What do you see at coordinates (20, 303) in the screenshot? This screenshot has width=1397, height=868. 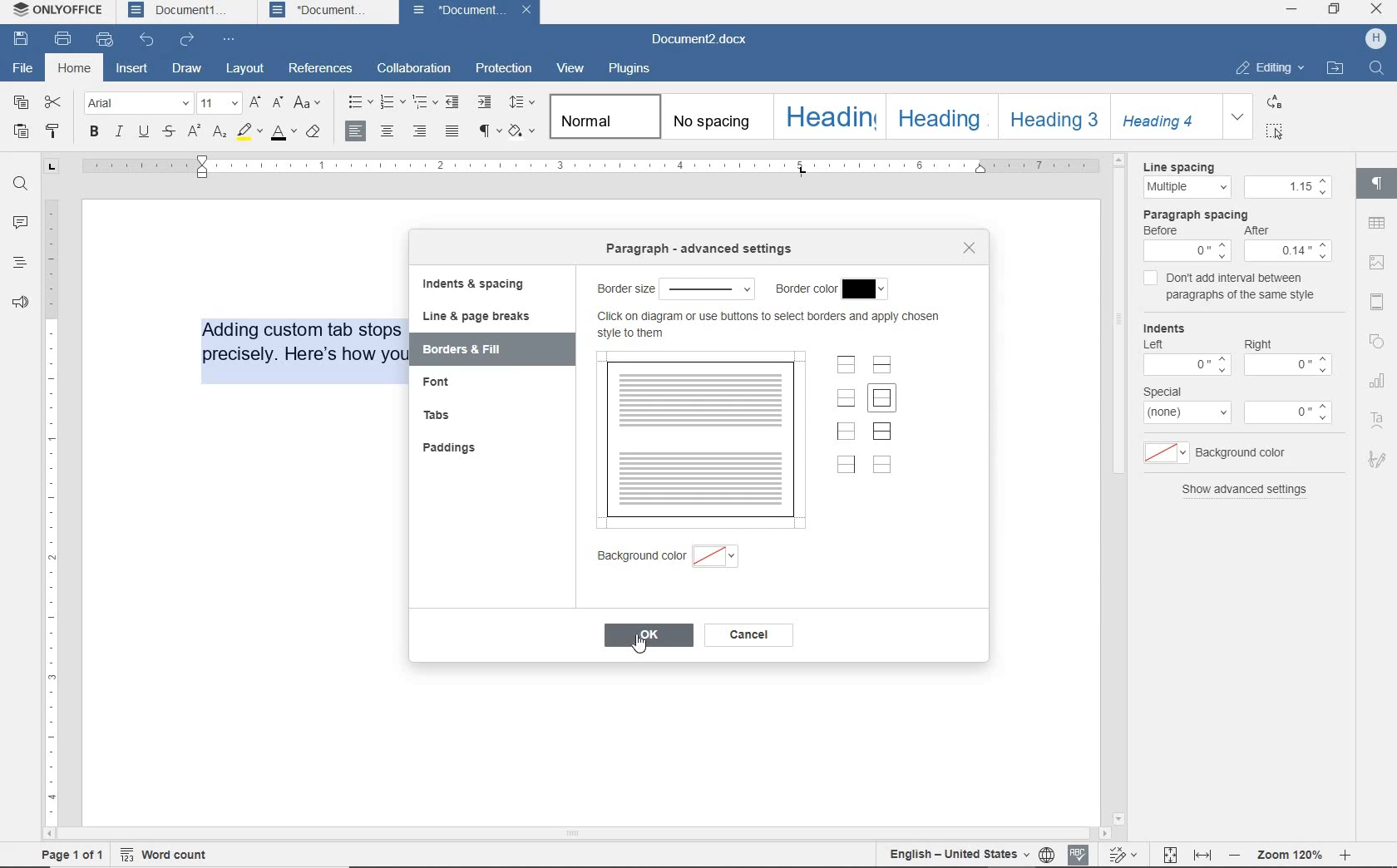 I see `feedback & support` at bounding box center [20, 303].